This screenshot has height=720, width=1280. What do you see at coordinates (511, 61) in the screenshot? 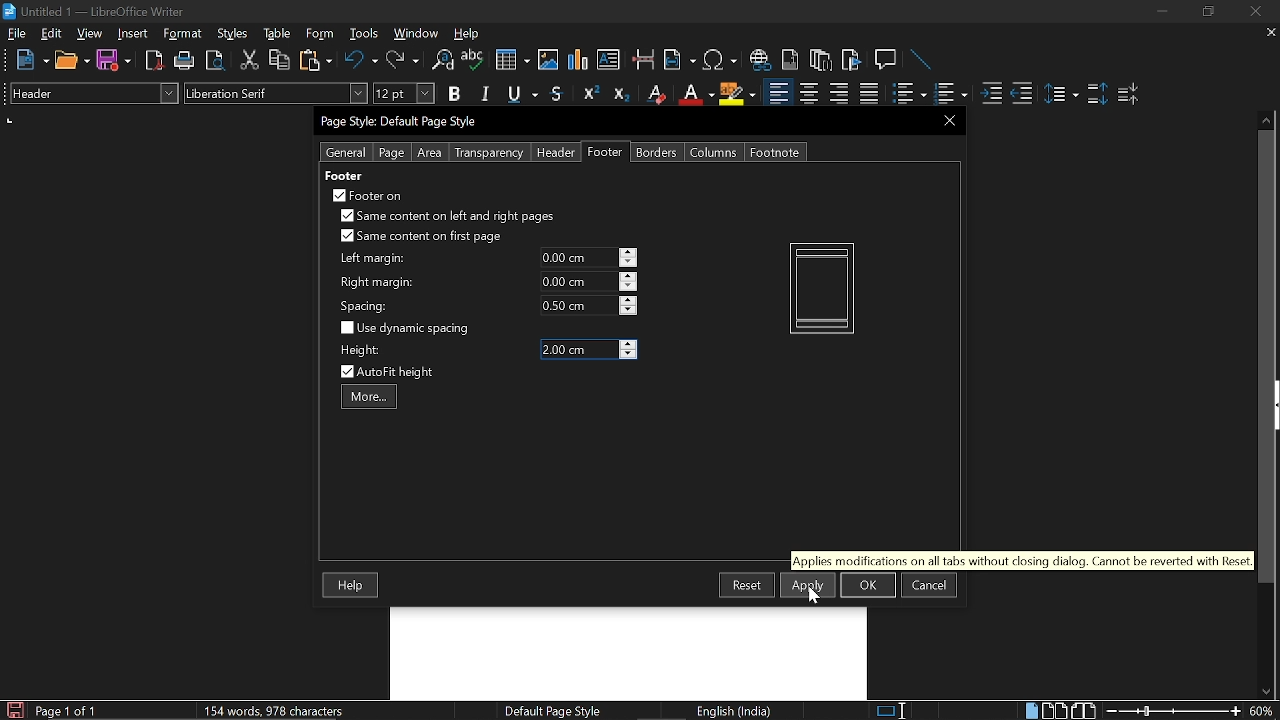
I see `Insert table` at bounding box center [511, 61].